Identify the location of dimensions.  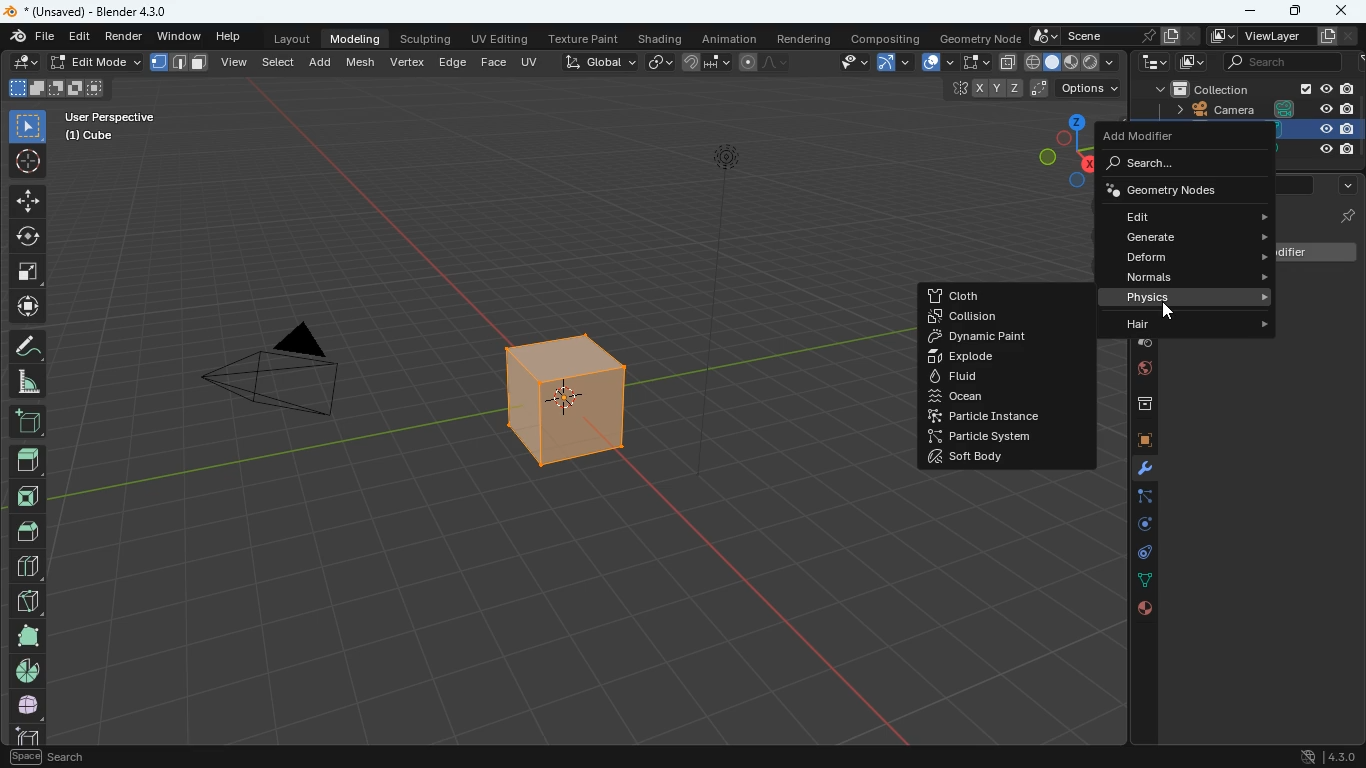
(1065, 149).